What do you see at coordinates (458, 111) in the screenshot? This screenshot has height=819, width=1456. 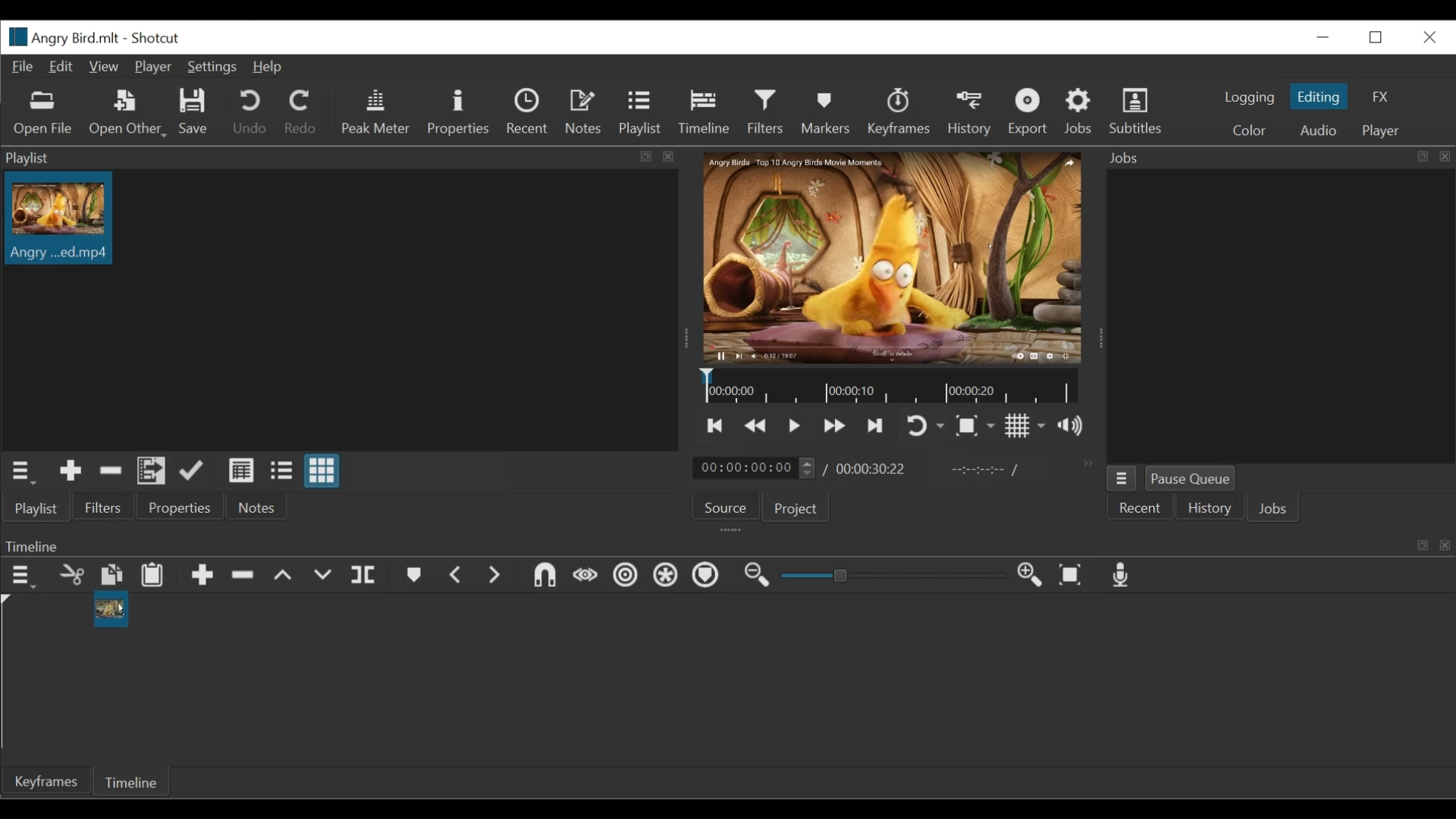 I see `Properties` at bounding box center [458, 111].